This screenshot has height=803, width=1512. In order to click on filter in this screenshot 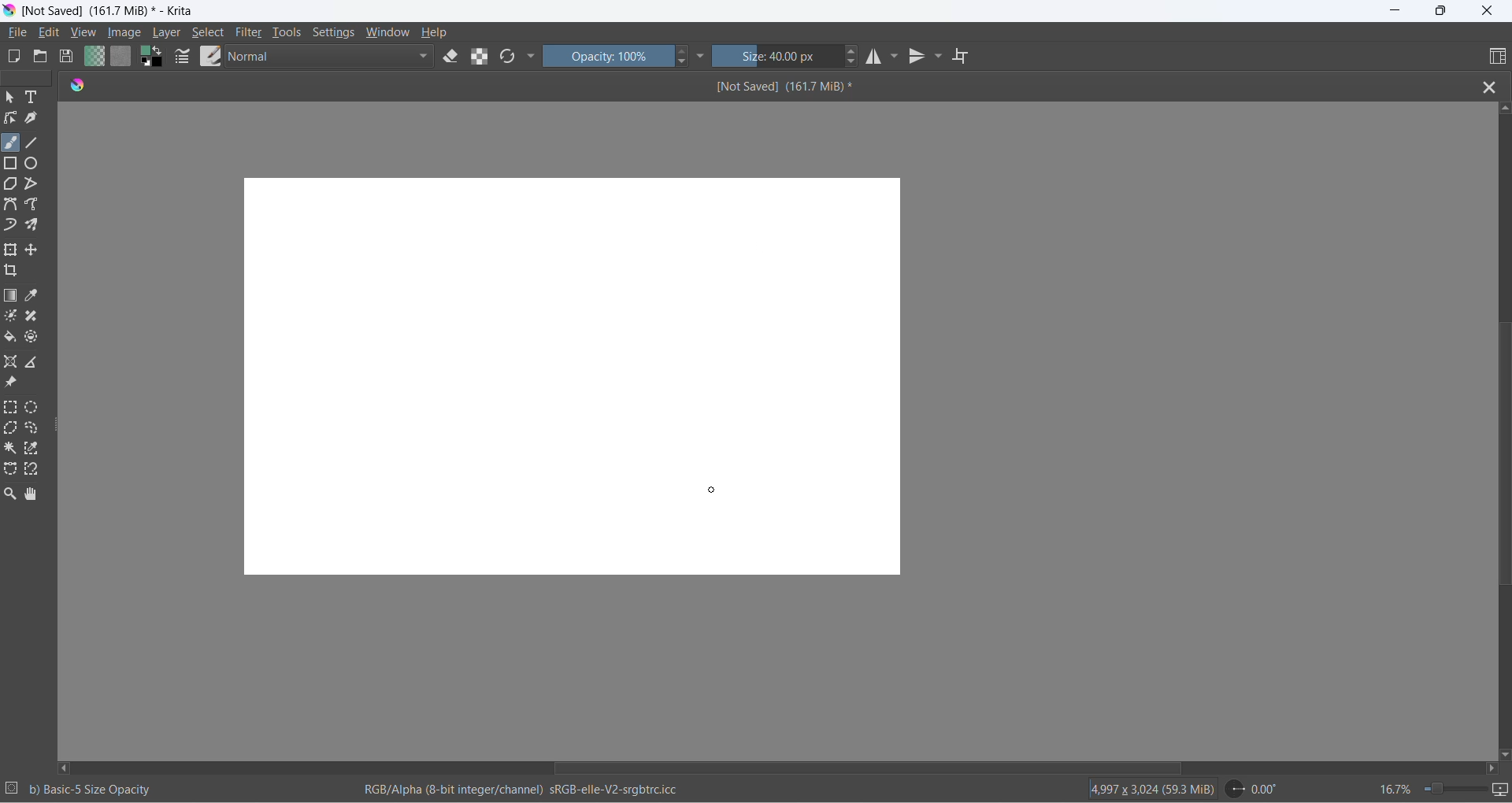, I will do `click(250, 35)`.